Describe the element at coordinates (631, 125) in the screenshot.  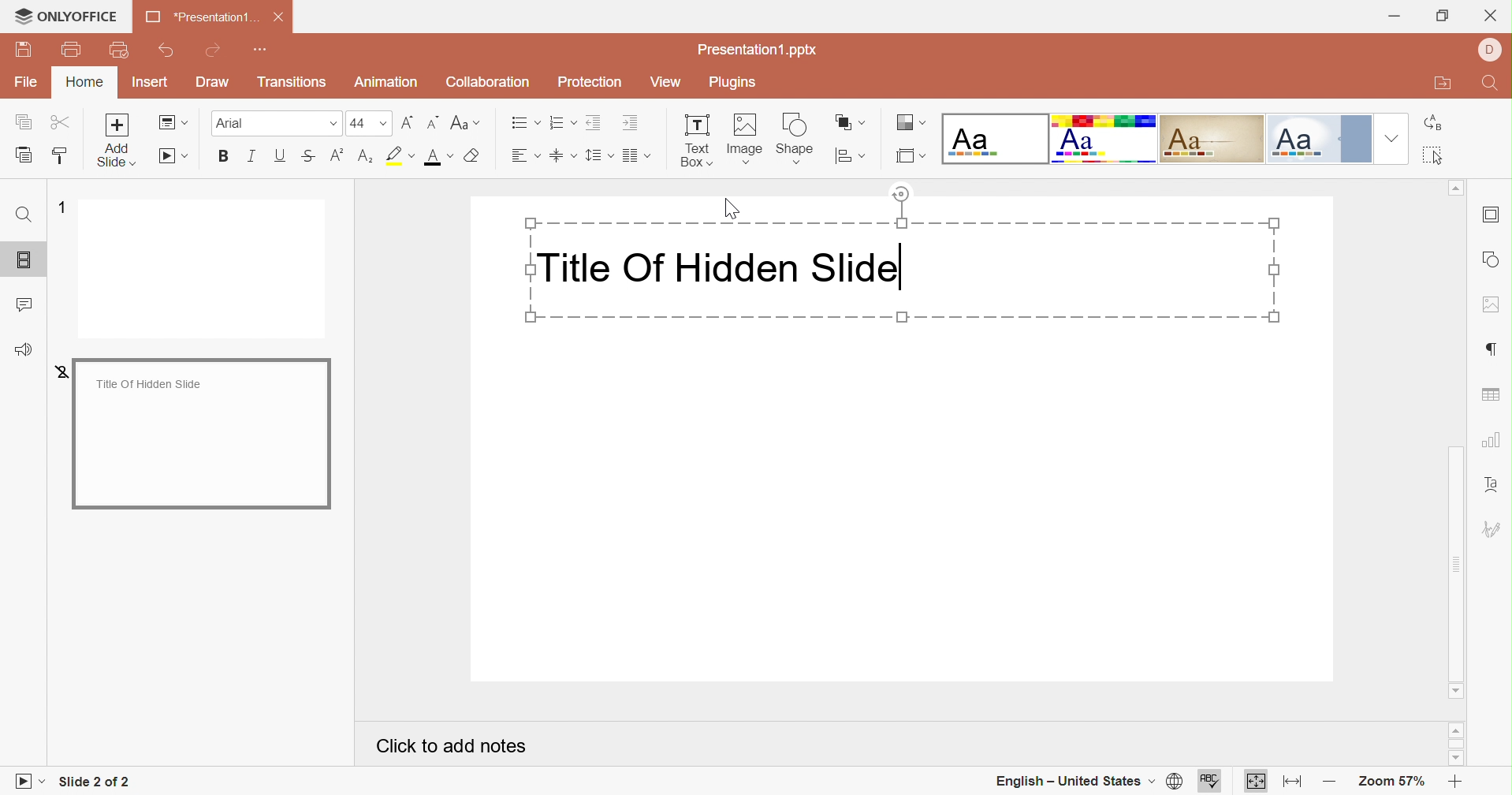
I see `Increase indent` at that location.